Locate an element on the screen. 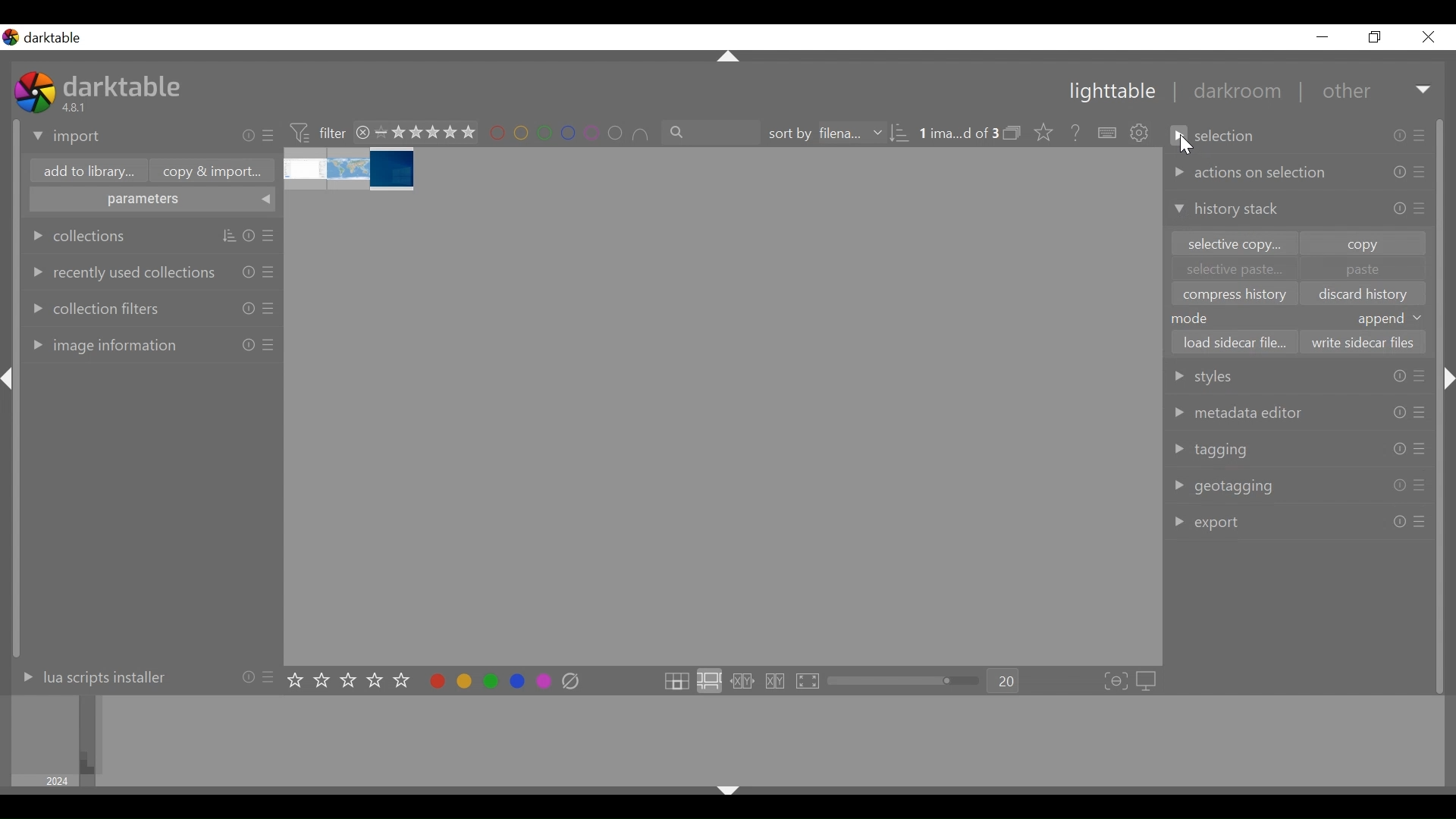  selection is located at coordinates (1216, 136).